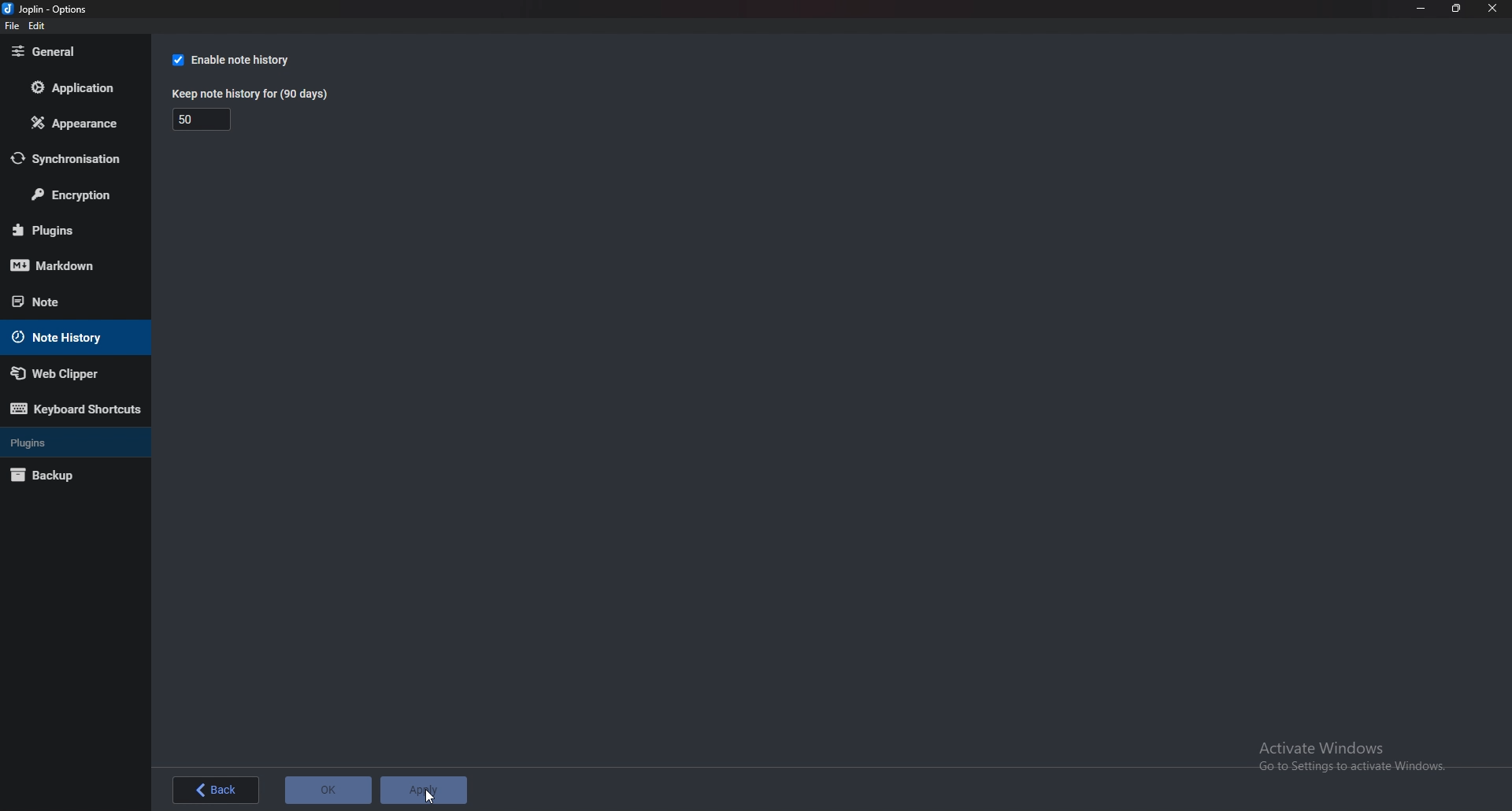  Describe the element at coordinates (76, 408) in the screenshot. I see `Keyboard shortcuts` at that location.